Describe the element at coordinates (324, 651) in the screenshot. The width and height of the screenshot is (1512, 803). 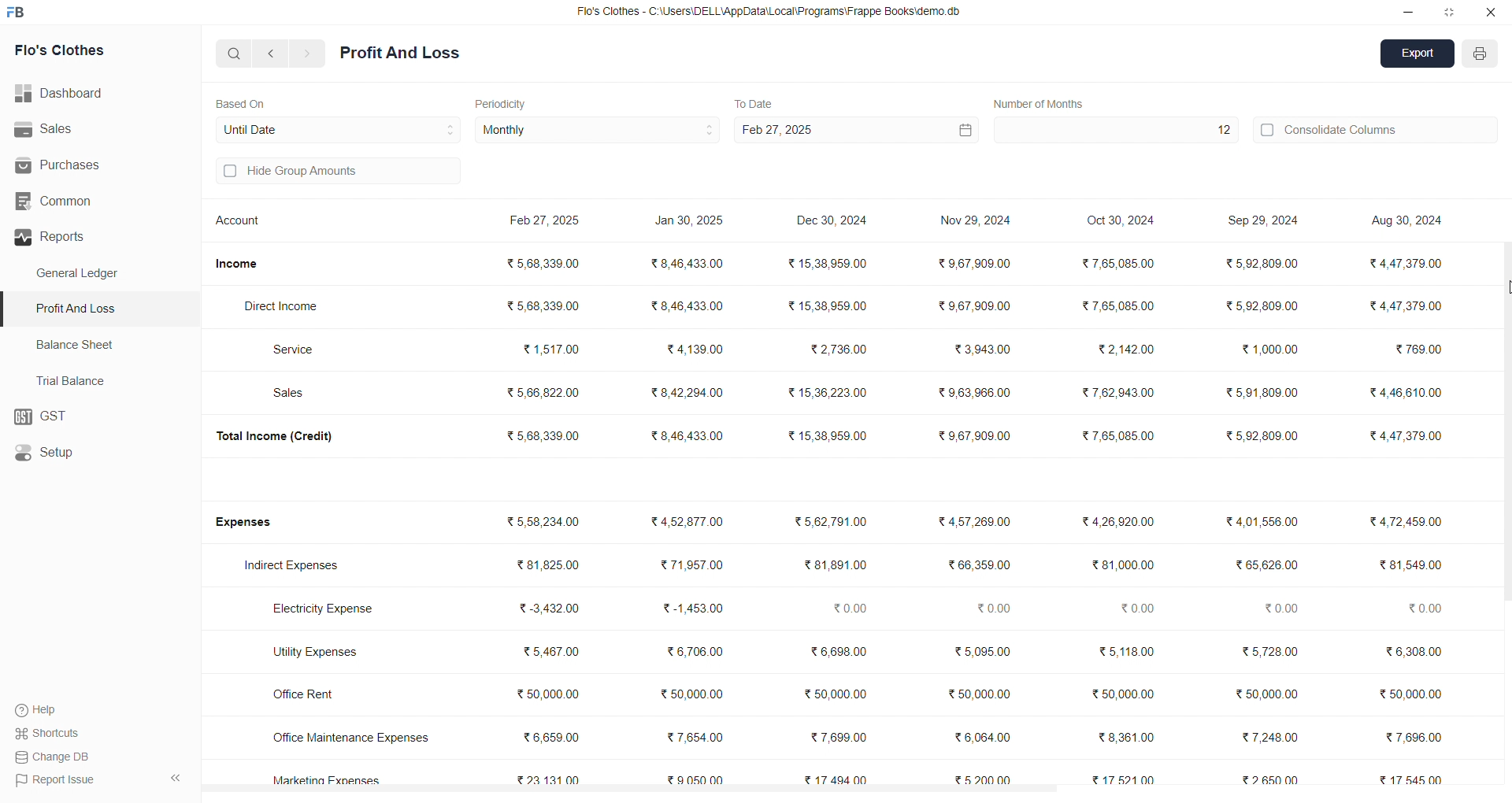
I see `Utility Expenses.` at that location.